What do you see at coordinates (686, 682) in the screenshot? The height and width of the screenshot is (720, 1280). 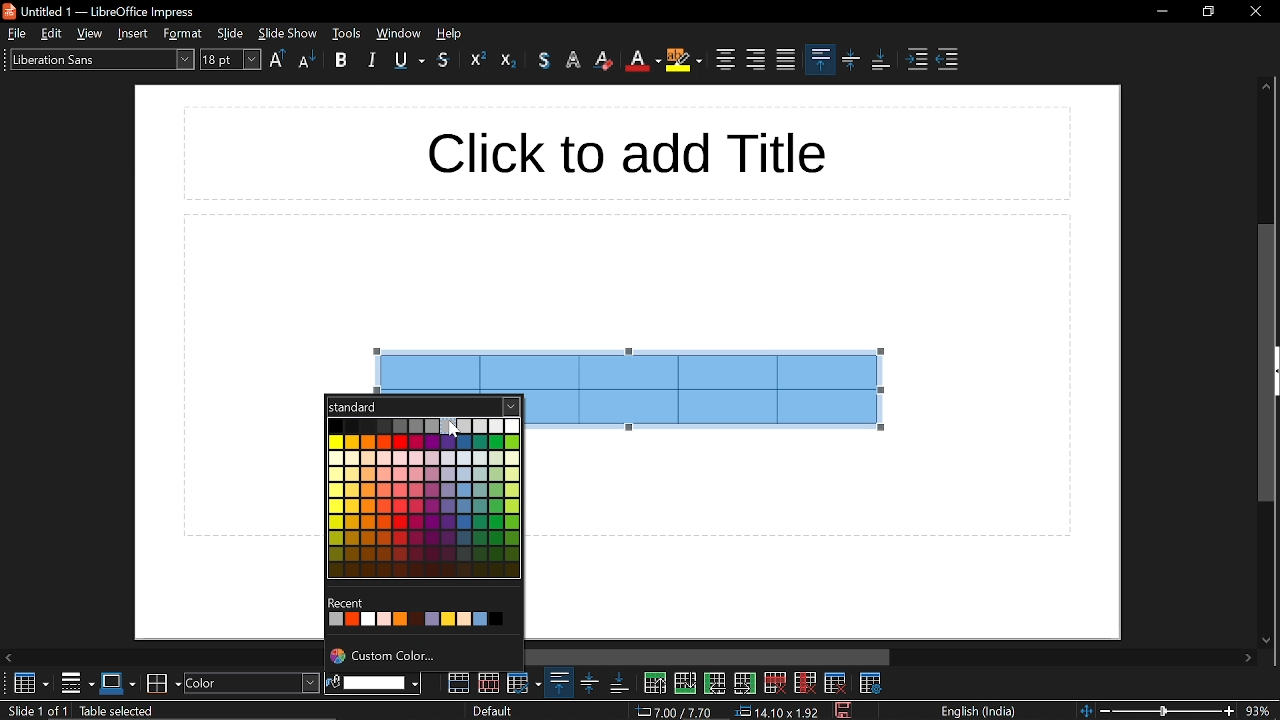 I see `insert row below` at bounding box center [686, 682].